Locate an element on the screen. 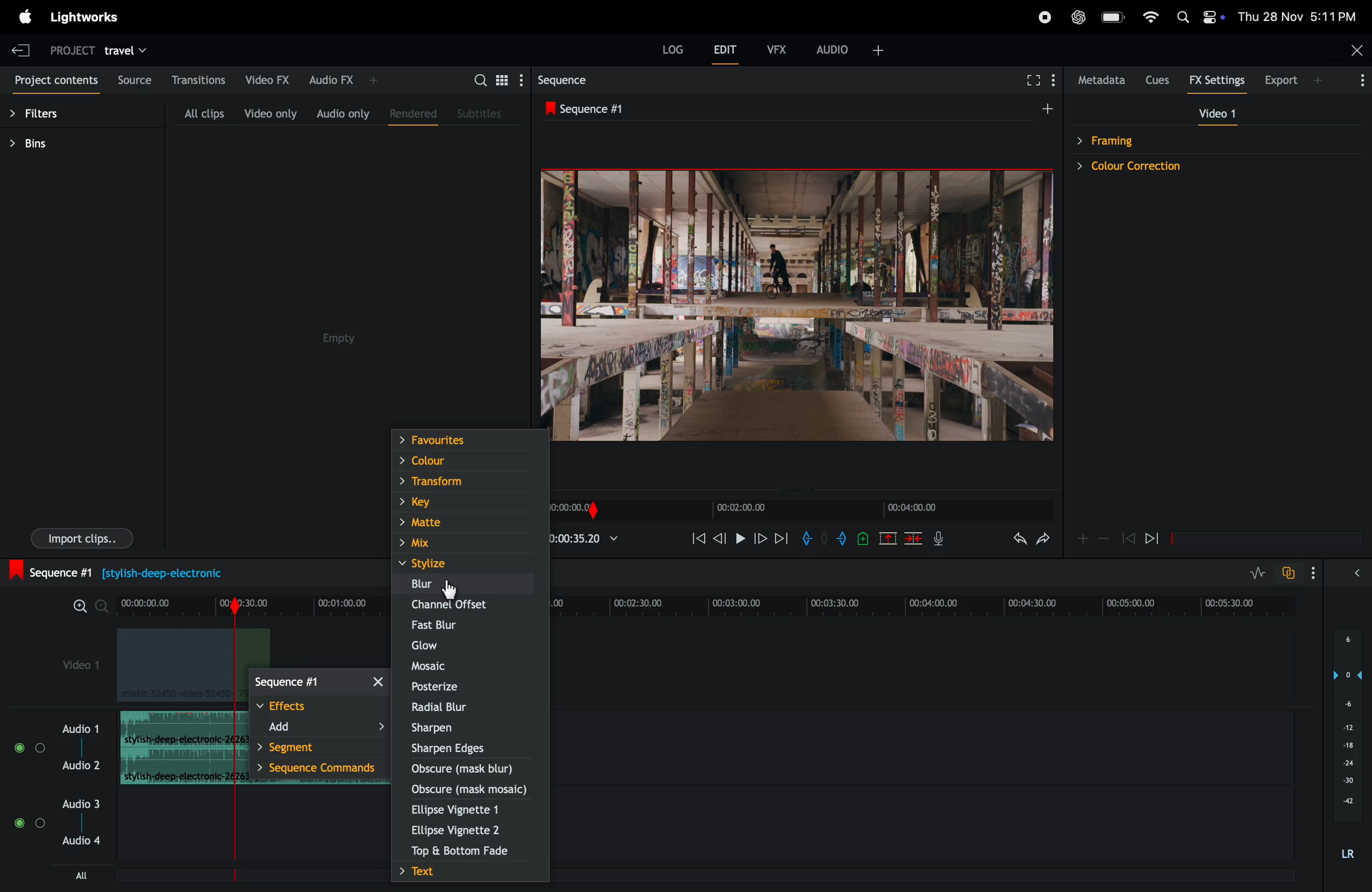 The height and width of the screenshot is (892, 1372). light works menu is located at coordinates (84, 16).